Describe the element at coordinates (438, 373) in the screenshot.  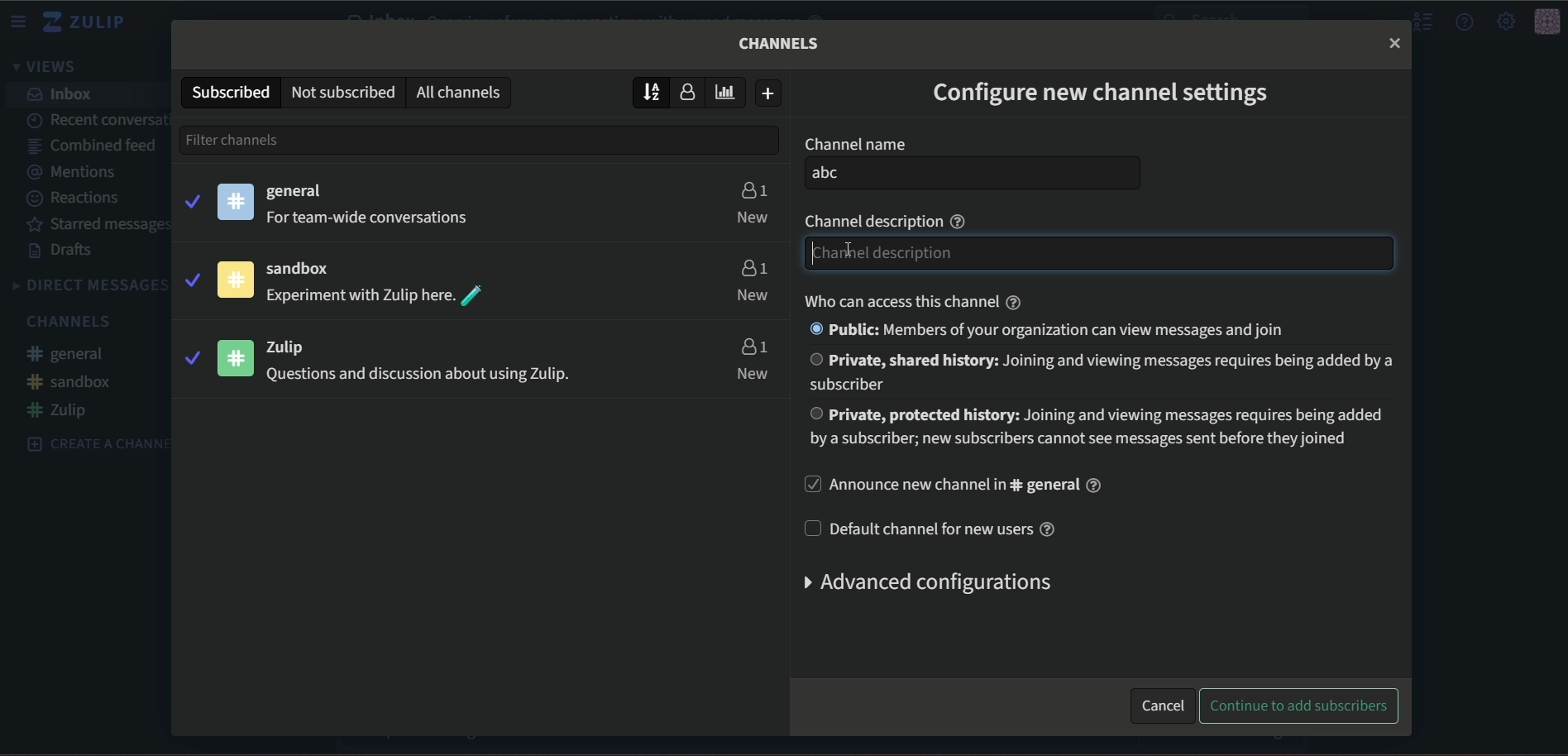
I see `Questions and discussion about using Zulip.` at that location.